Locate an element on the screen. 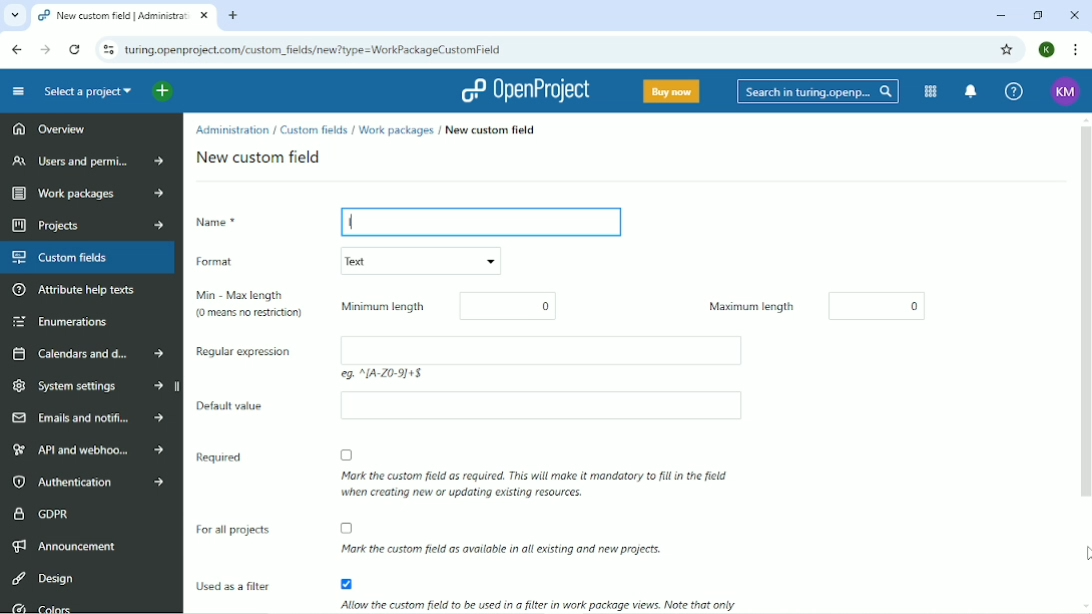 This screenshot has height=614, width=1092. Custom fields is located at coordinates (89, 258).